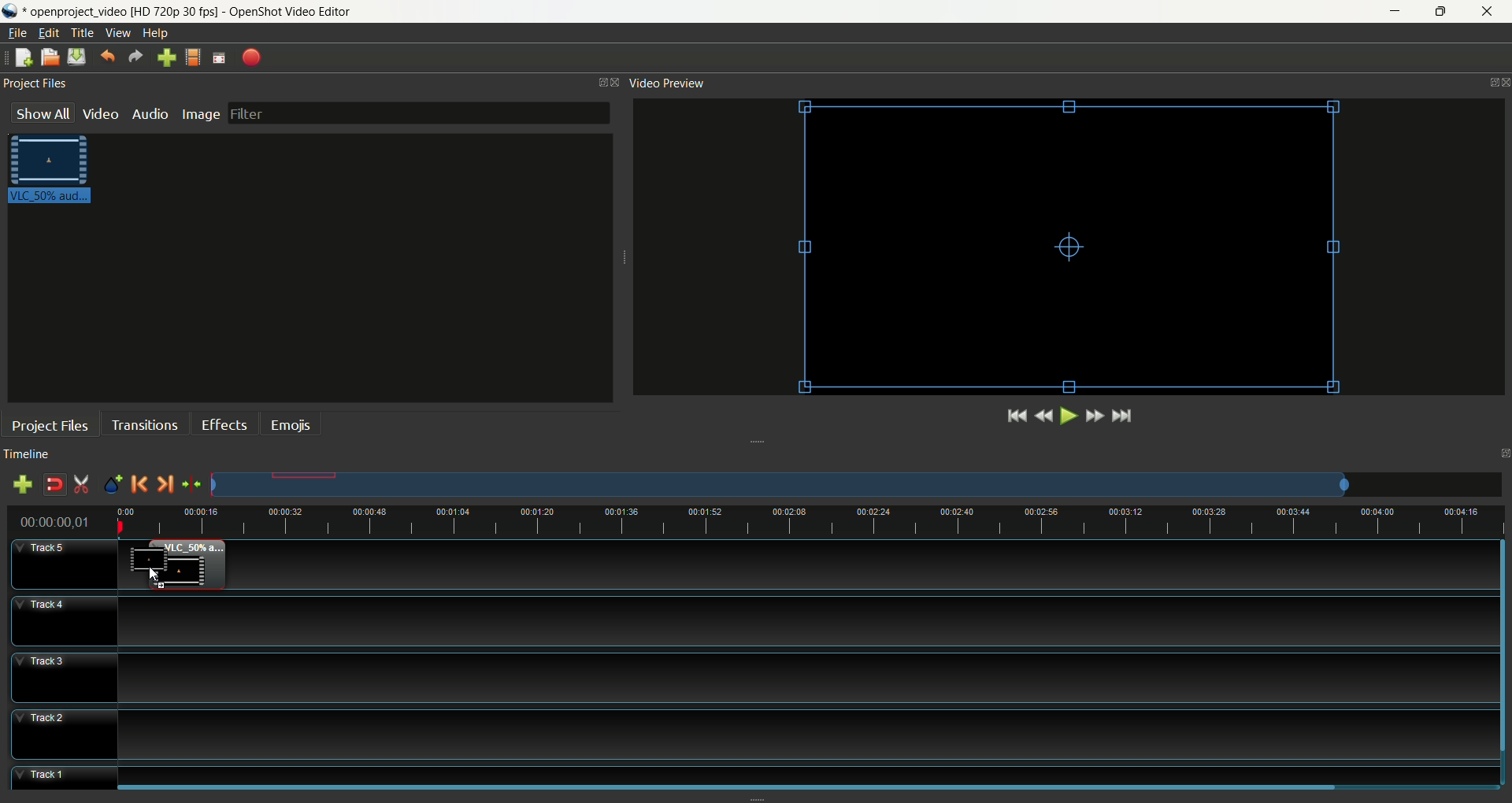 Image resolution: width=1512 pixels, height=803 pixels. I want to click on new project, so click(22, 57).